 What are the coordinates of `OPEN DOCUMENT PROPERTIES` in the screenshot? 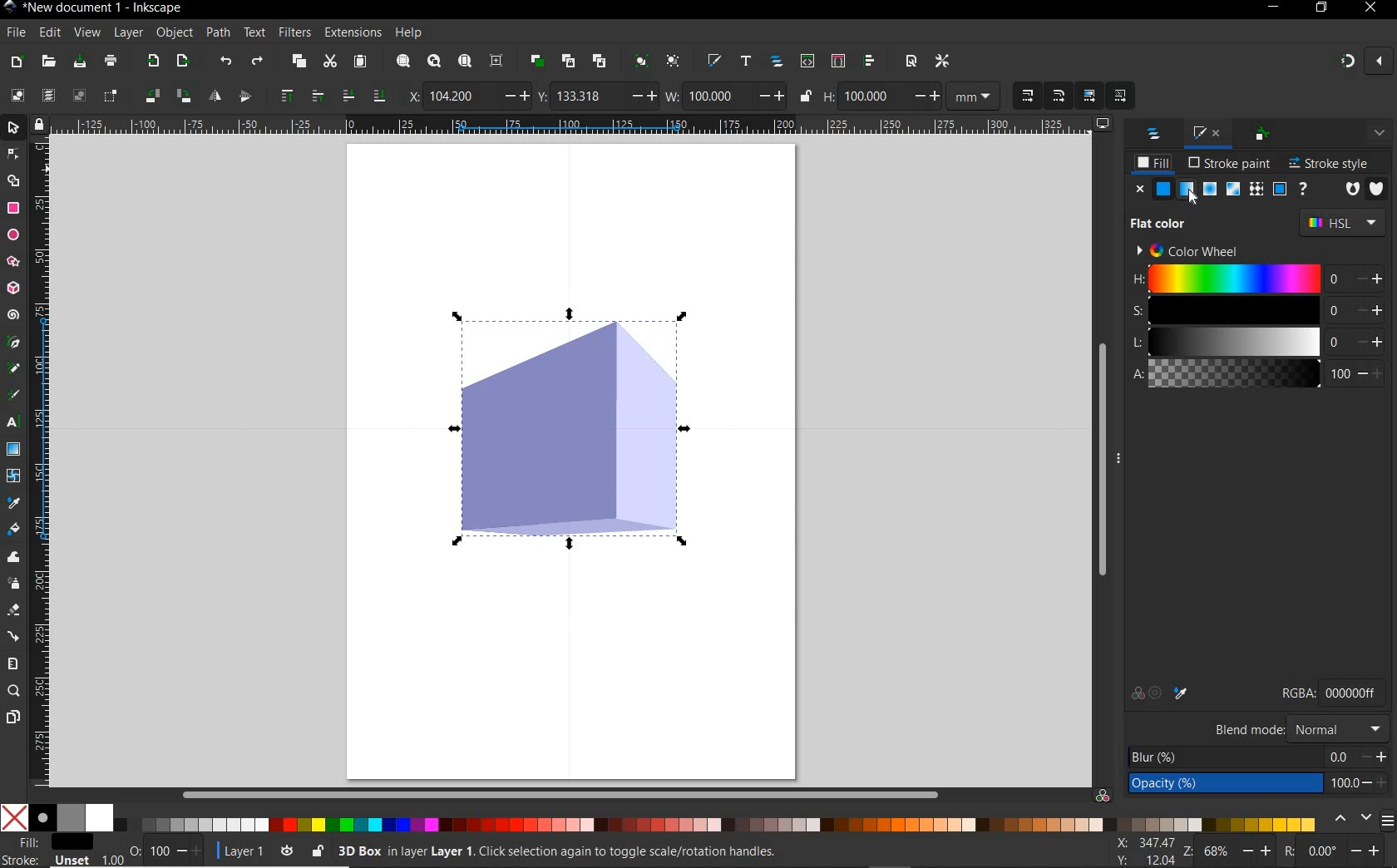 It's located at (911, 62).